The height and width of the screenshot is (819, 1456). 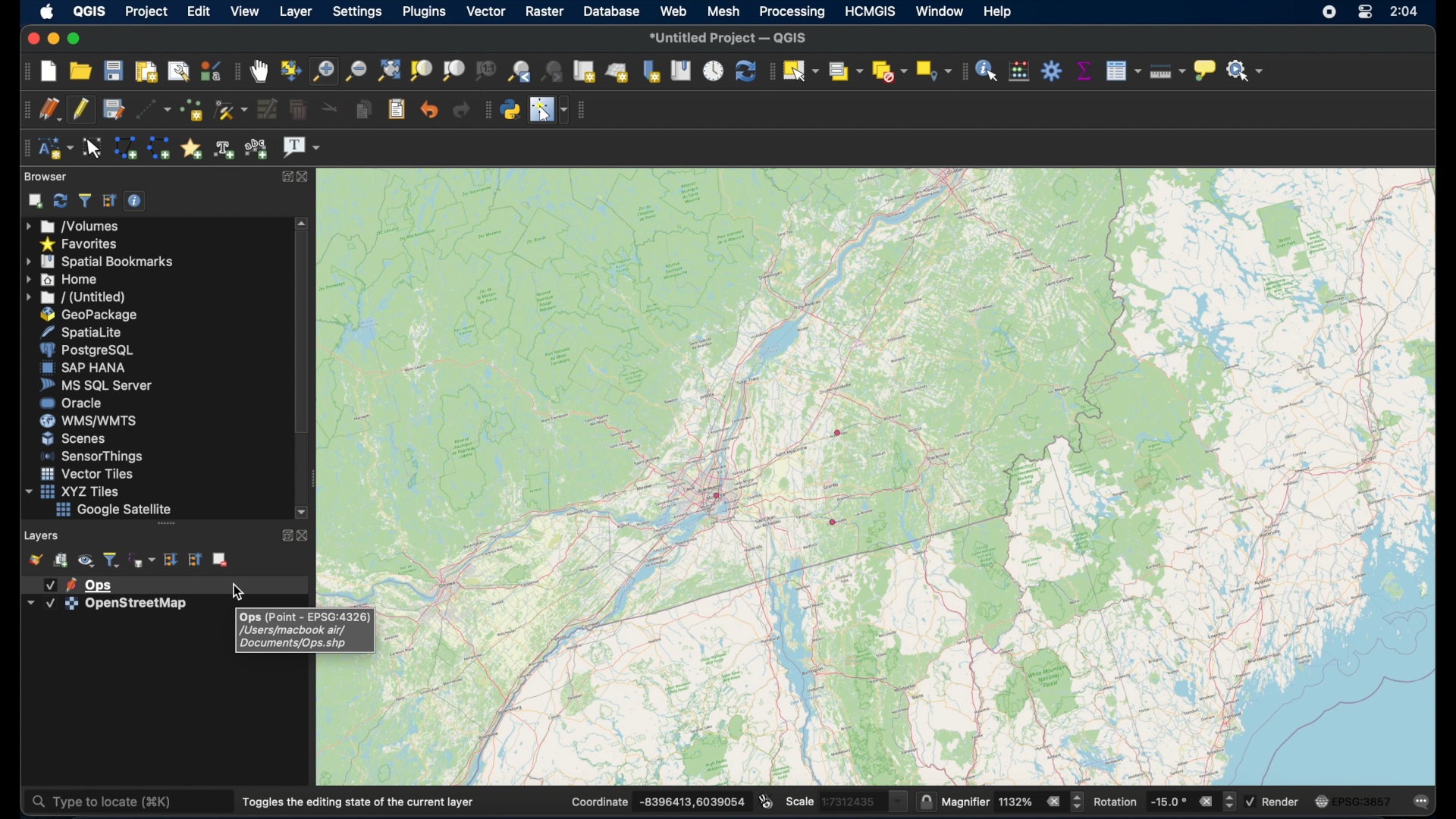 I want to click on layer, so click(x=295, y=12).